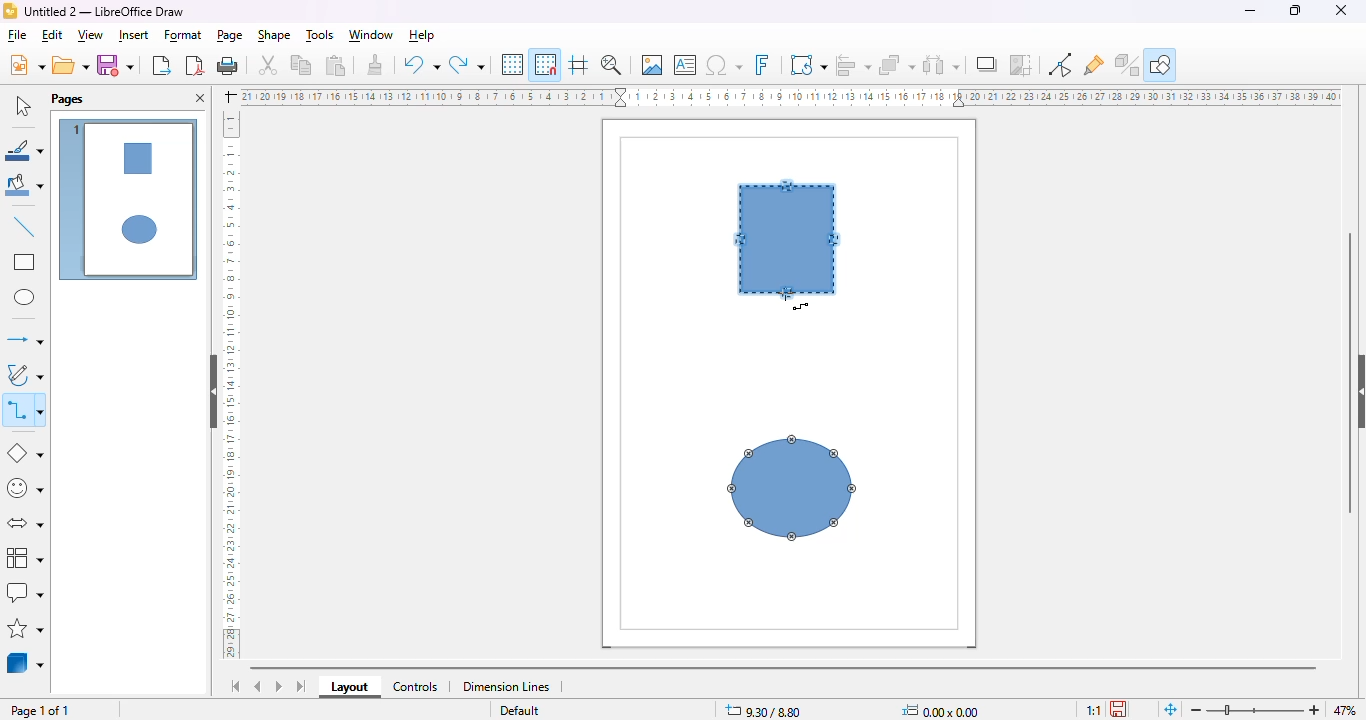 The height and width of the screenshot is (720, 1366). What do you see at coordinates (546, 64) in the screenshot?
I see `snap to grid` at bounding box center [546, 64].